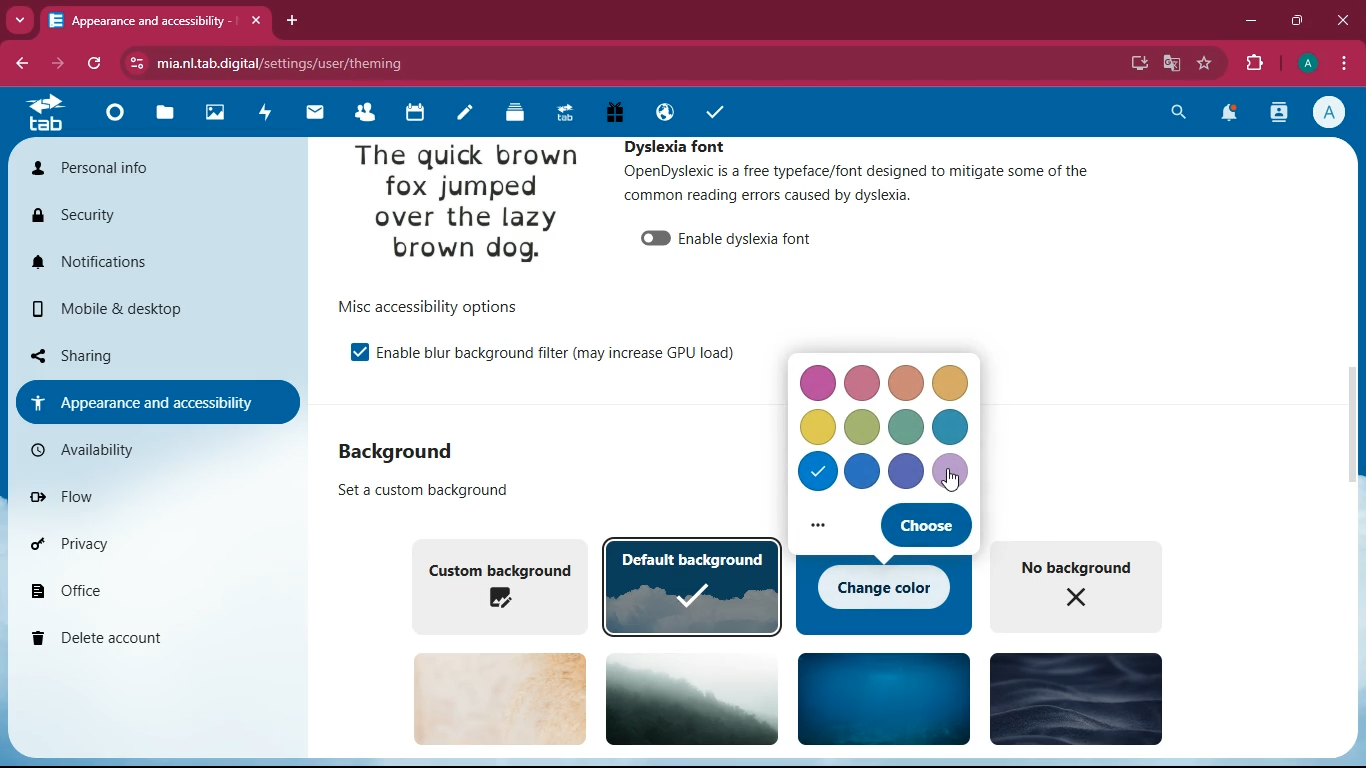 The image size is (1366, 768). I want to click on privacy, so click(137, 543).